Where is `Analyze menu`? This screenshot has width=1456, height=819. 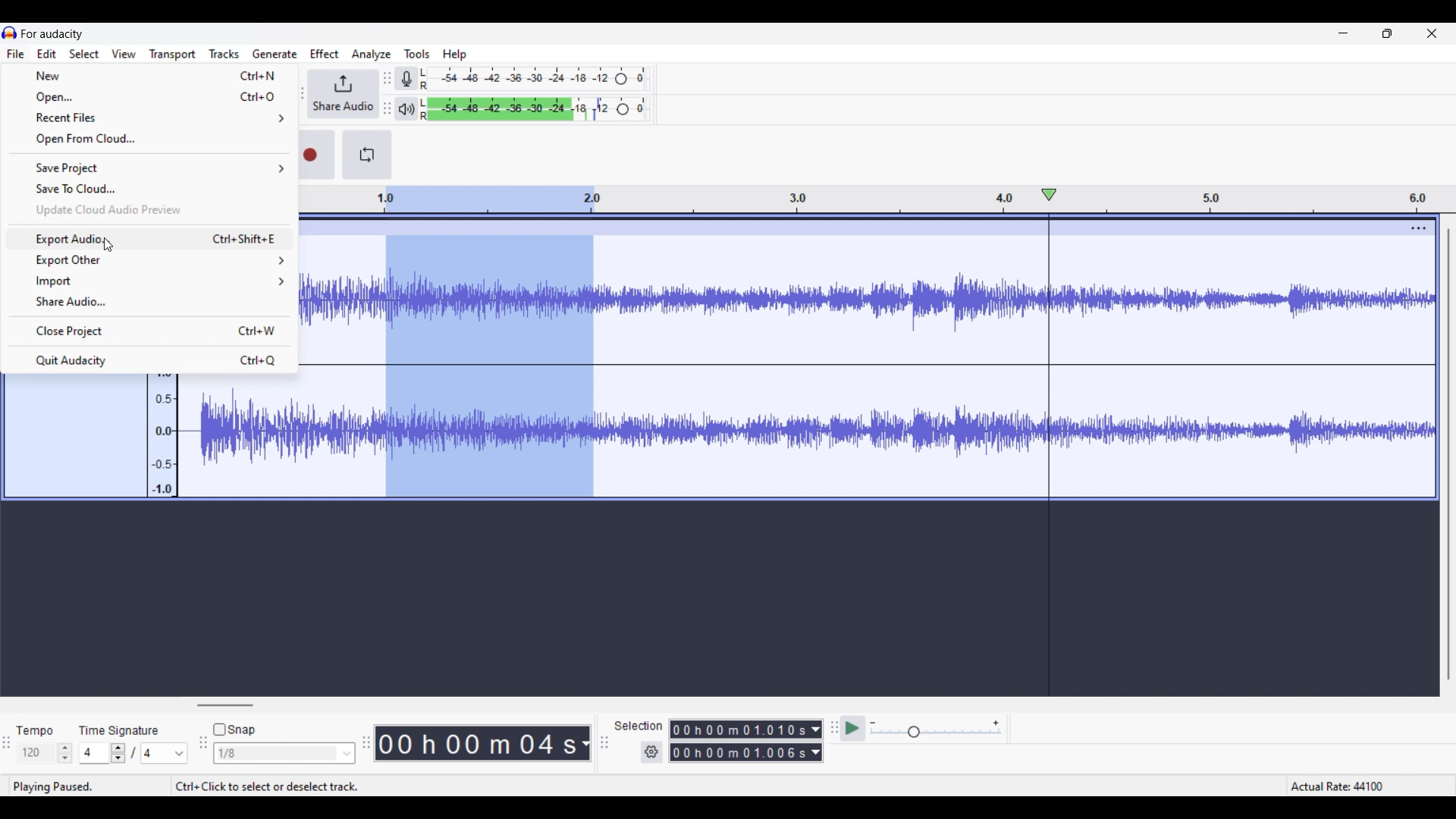 Analyze menu is located at coordinates (371, 55).